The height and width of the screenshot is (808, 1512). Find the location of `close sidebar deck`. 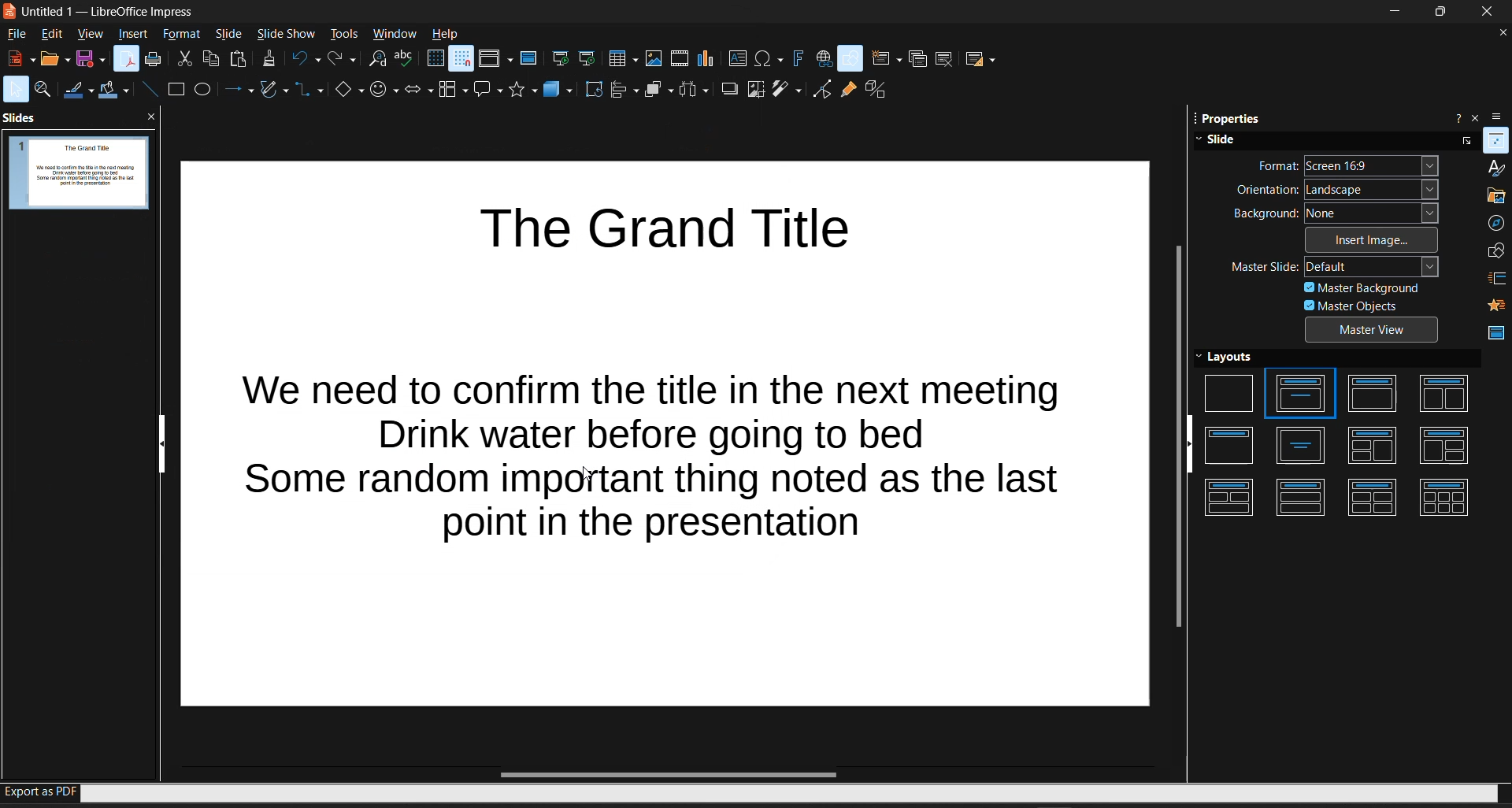

close sidebar deck is located at coordinates (1479, 117).